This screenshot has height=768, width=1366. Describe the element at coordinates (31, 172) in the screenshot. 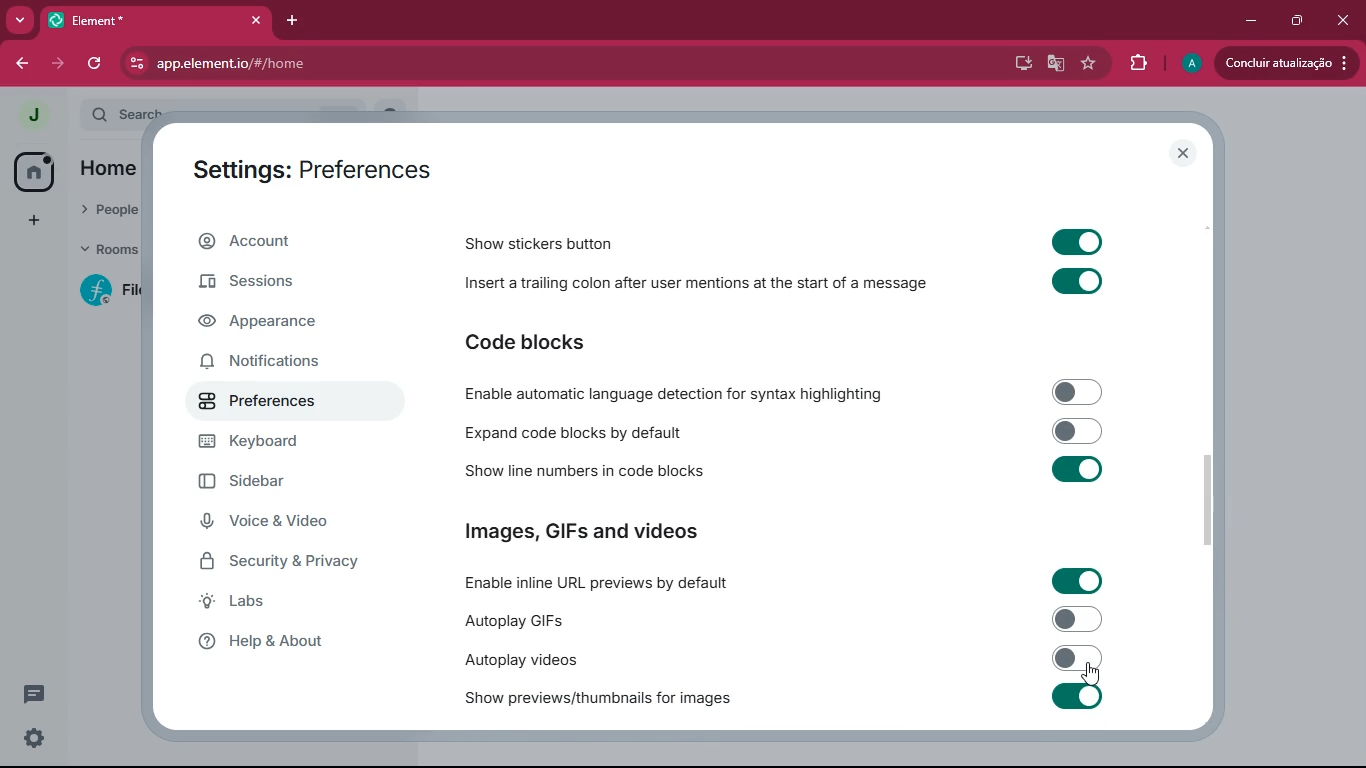

I see `home` at that location.